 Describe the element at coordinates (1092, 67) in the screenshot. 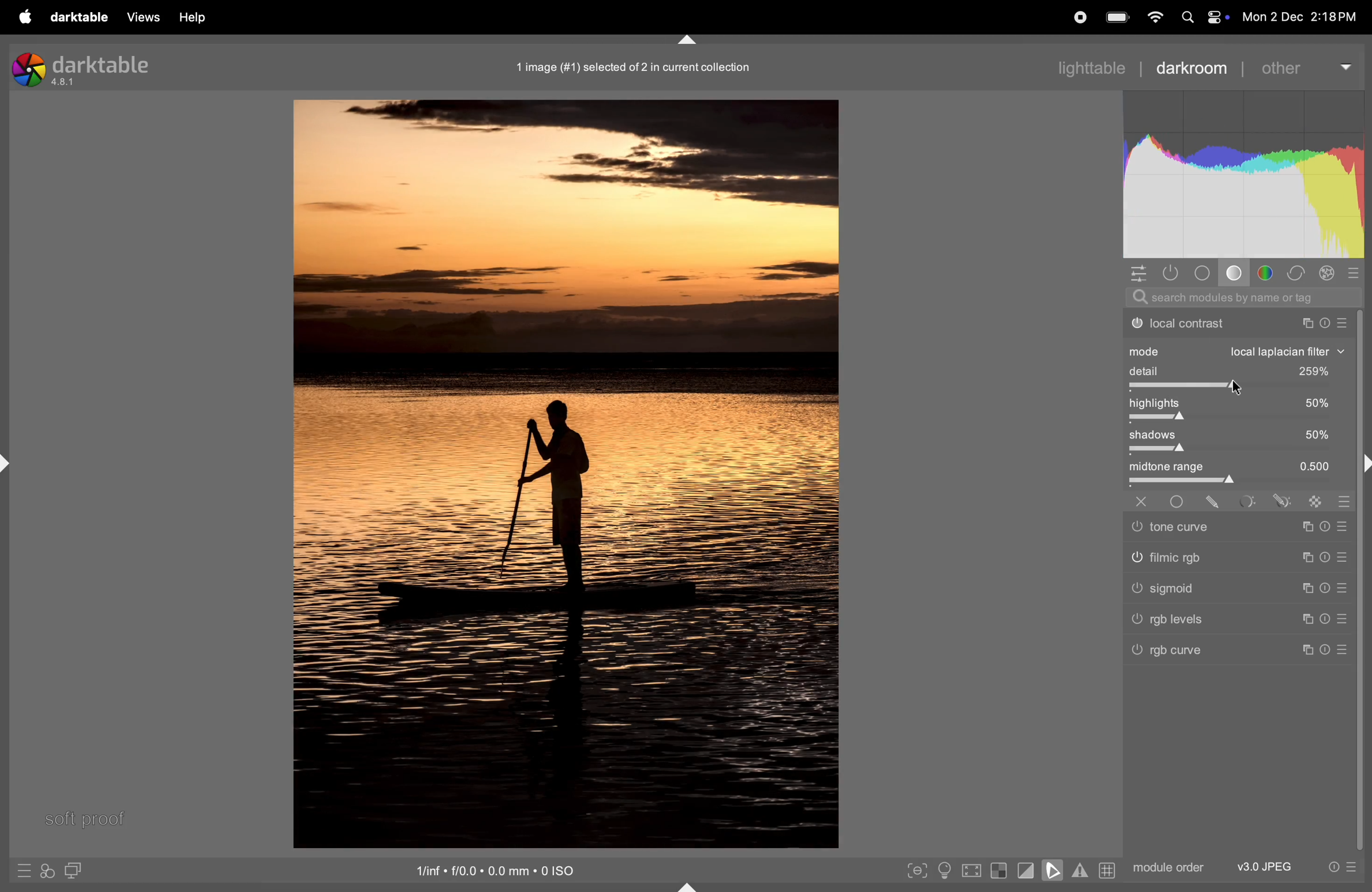

I see `lighttable` at that location.